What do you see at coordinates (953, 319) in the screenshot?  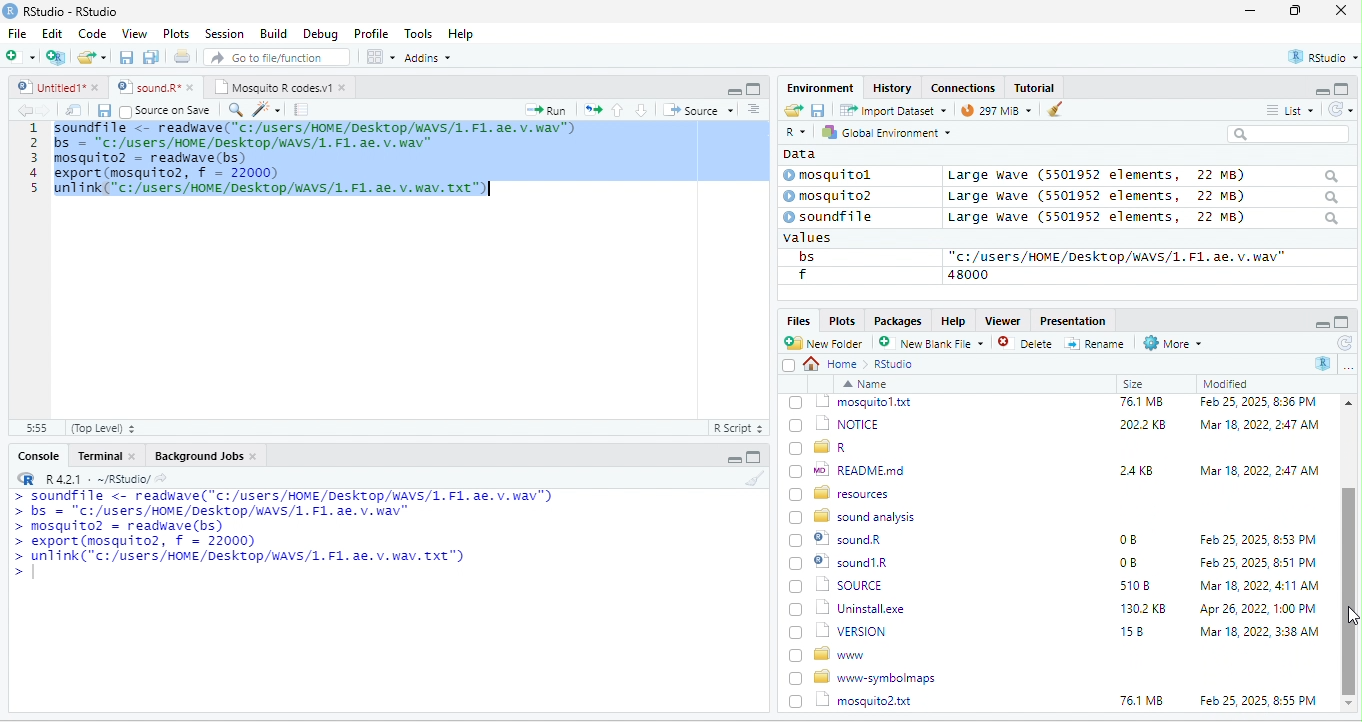 I see `Help` at bounding box center [953, 319].